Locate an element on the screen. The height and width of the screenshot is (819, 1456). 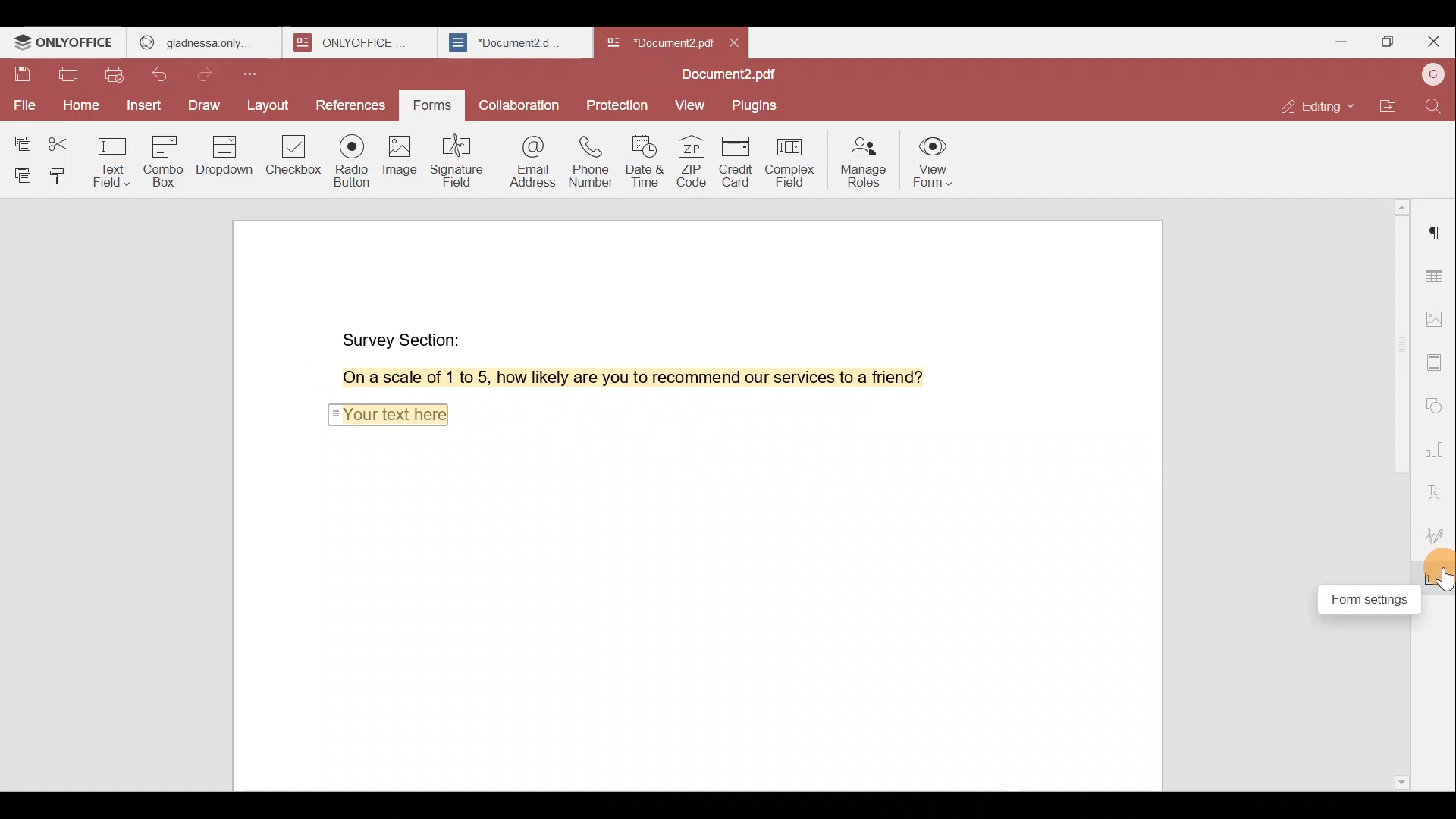
Survey Section: is located at coordinates (406, 339).